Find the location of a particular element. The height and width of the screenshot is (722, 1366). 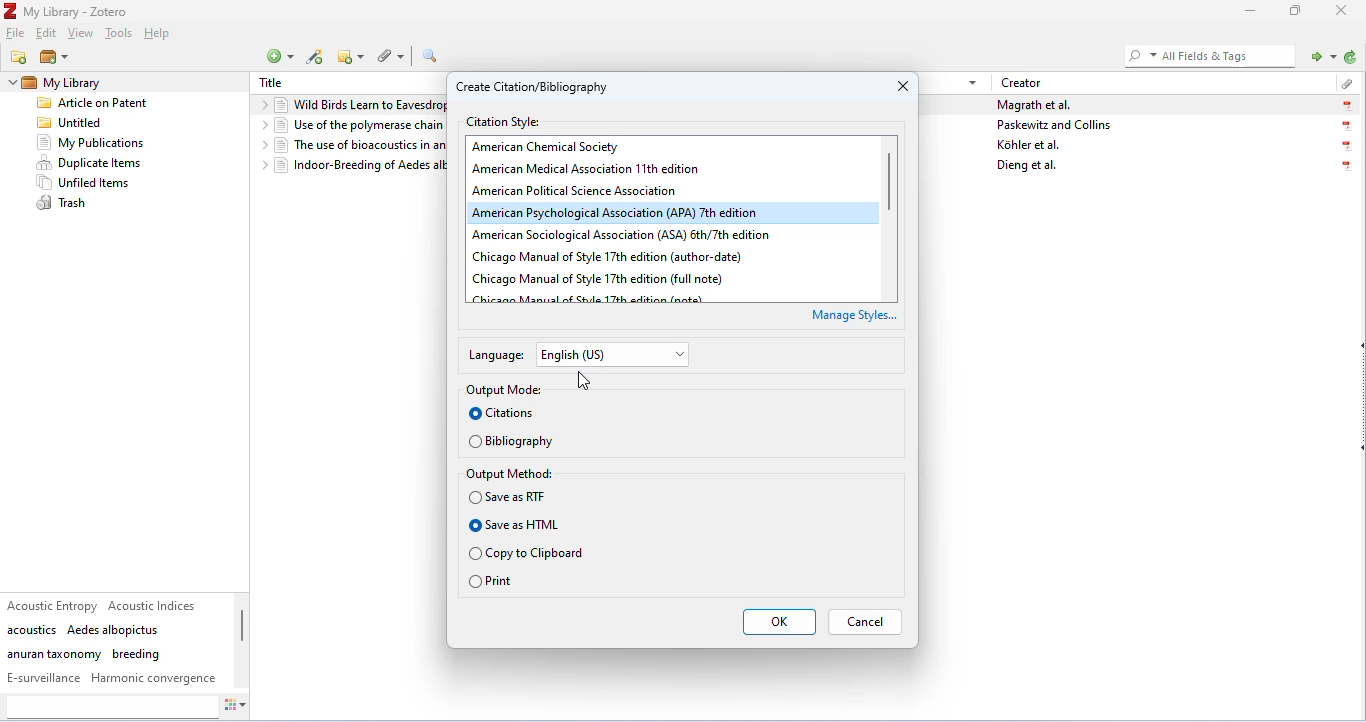

maximize is located at coordinates (1296, 12).